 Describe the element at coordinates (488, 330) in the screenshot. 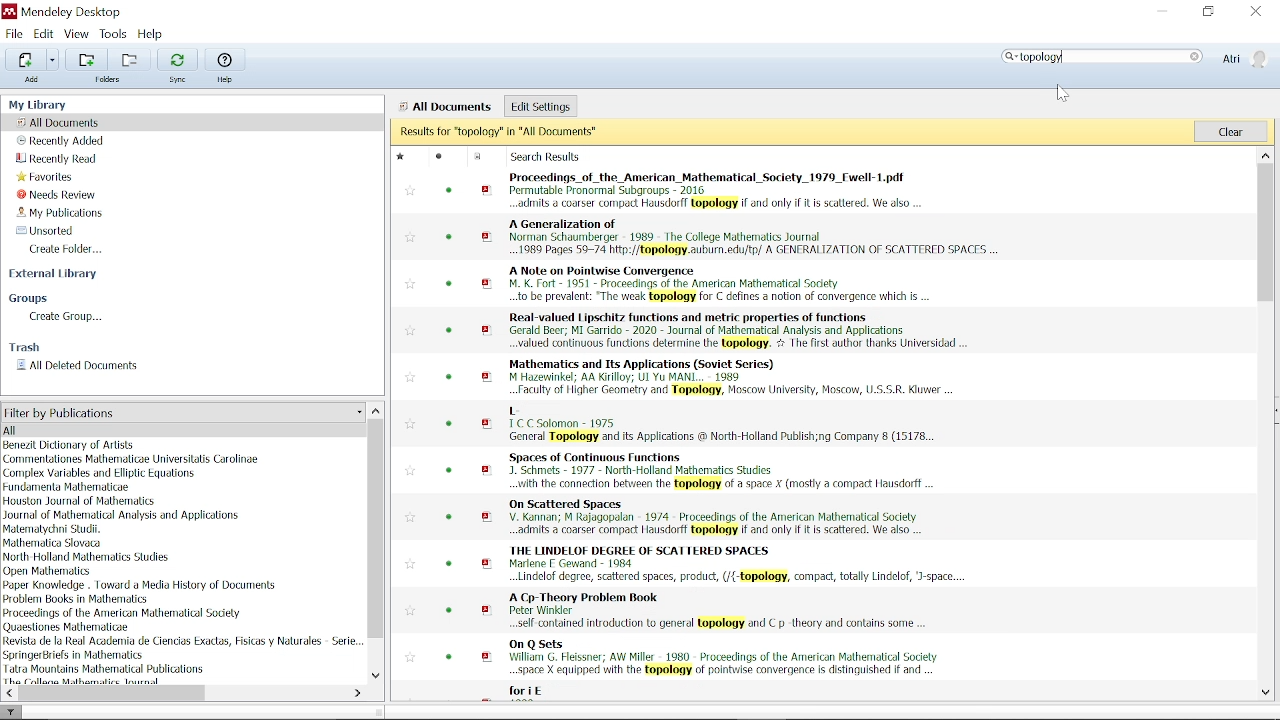

I see `pdf` at that location.